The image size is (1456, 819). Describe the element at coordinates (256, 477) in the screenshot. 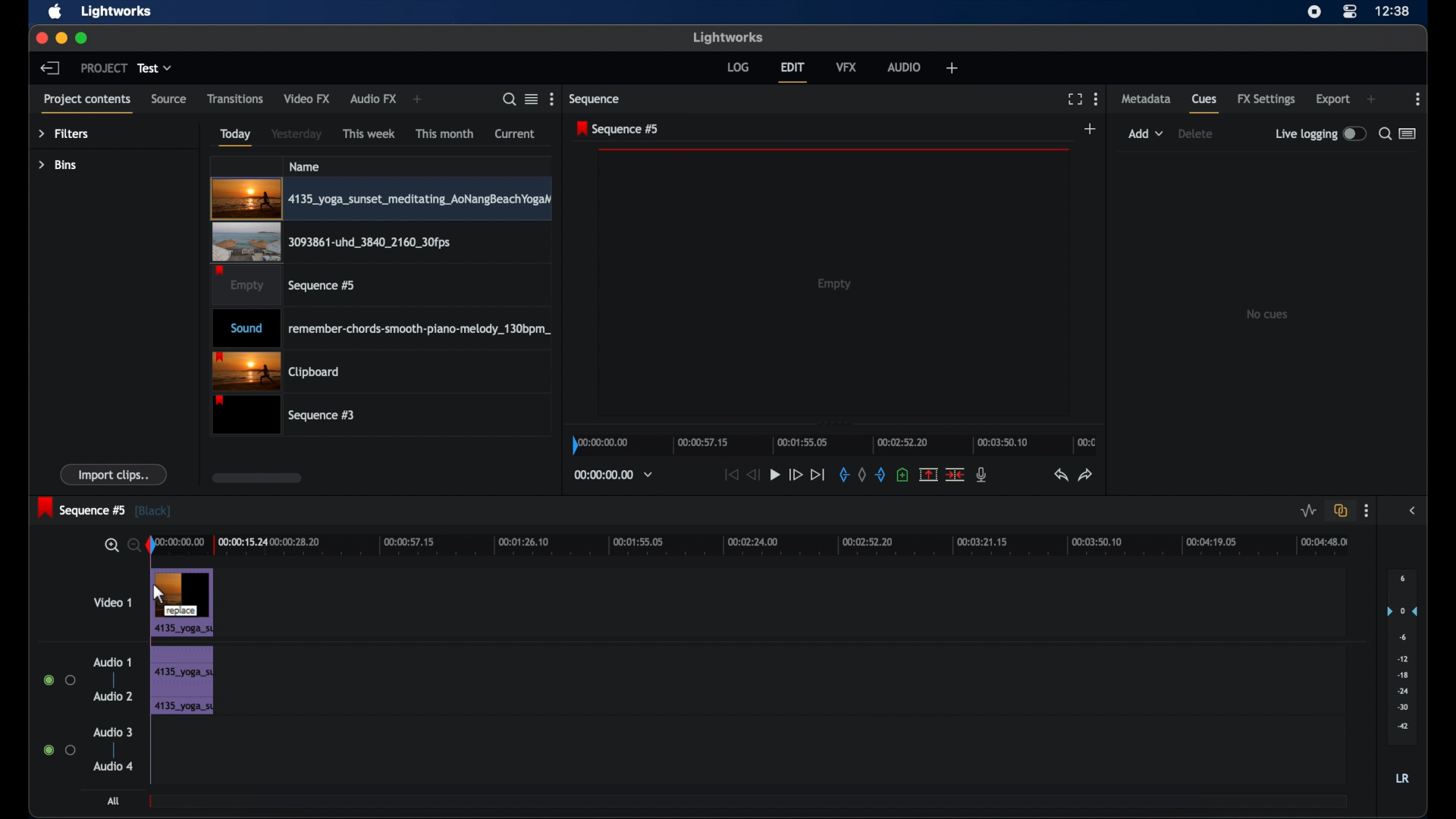

I see `scroll box` at that location.